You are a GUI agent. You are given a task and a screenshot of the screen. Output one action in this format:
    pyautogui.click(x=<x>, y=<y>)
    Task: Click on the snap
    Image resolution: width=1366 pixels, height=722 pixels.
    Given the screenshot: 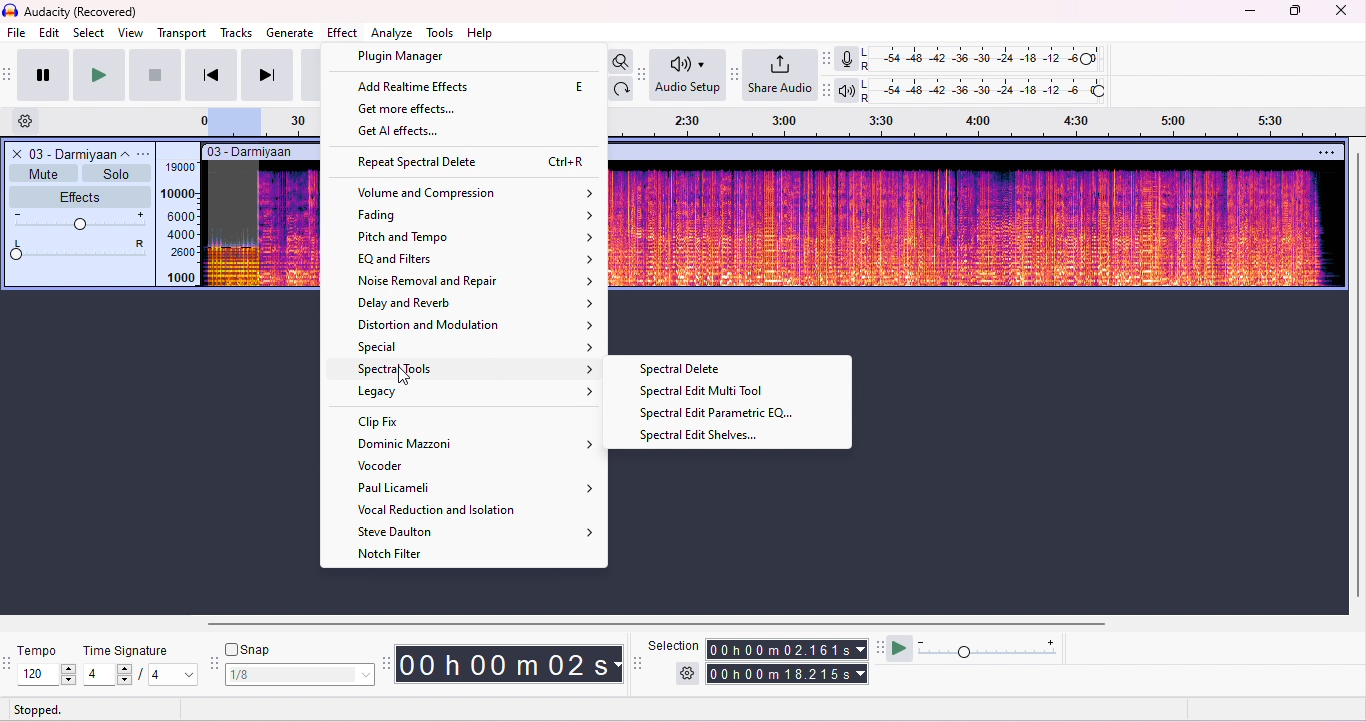 What is the action you would take?
    pyautogui.click(x=254, y=648)
    